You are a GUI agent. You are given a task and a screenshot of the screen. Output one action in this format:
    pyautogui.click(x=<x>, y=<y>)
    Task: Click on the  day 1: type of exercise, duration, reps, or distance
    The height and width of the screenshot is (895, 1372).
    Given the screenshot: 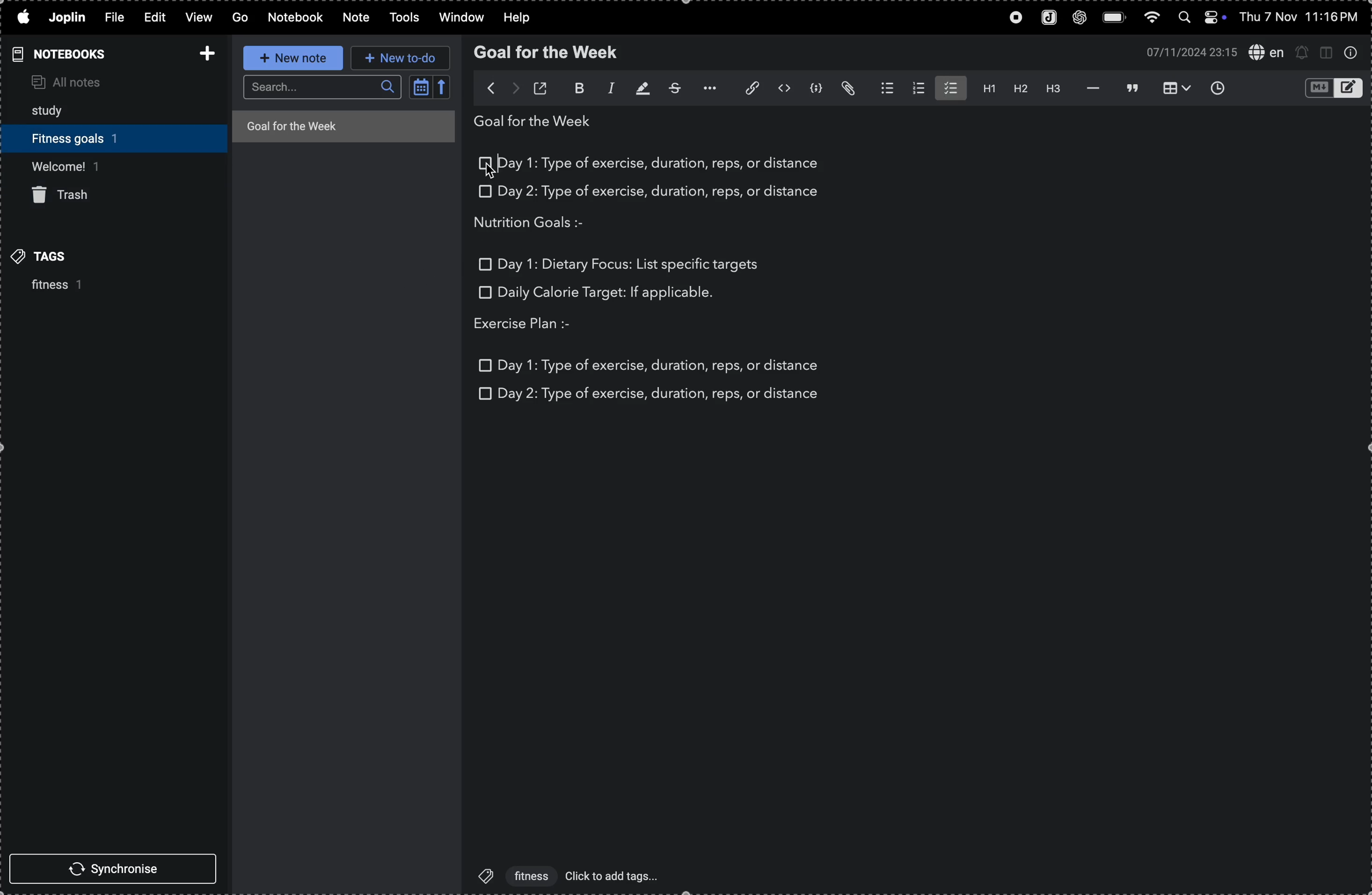 What is the action you would take?
    pyautogui.click(x=666, y=163)
    